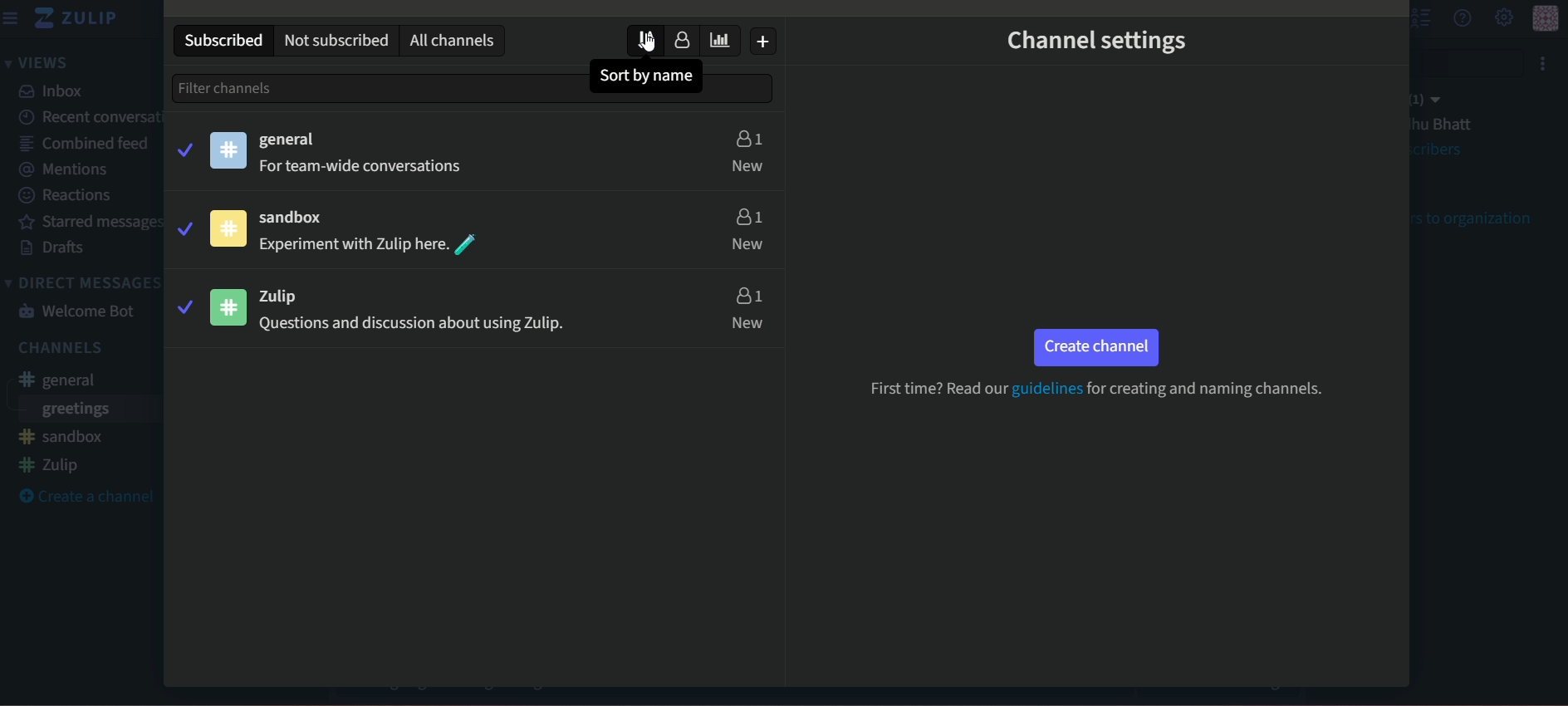 Image resolution: width=1568 pixels, height=706 pixels. Describe the element at coordinates (365, 168) in the screenshot. I see `text` at that location.